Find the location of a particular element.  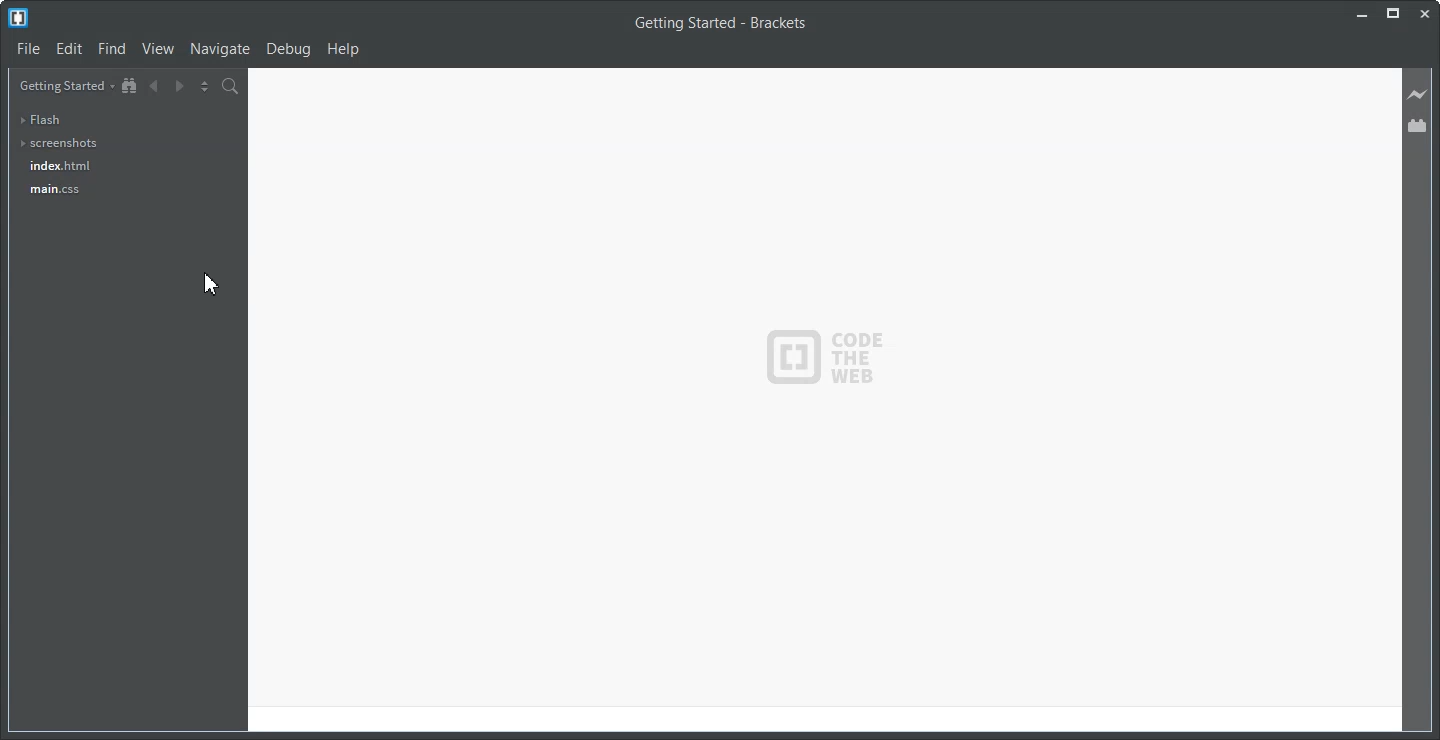

Minimize is located at coordinates (1360, 14).